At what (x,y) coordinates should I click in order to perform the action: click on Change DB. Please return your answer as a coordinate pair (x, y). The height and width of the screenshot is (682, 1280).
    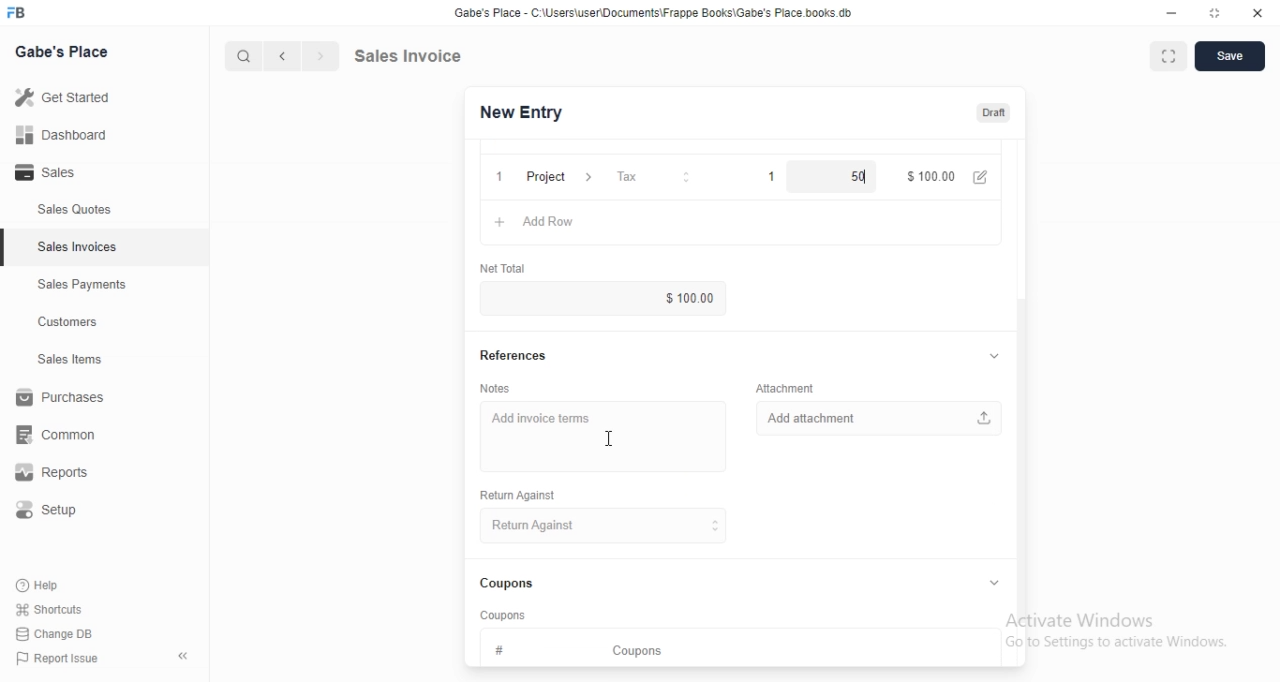
    Looking at the image, I should click on (58, 635).